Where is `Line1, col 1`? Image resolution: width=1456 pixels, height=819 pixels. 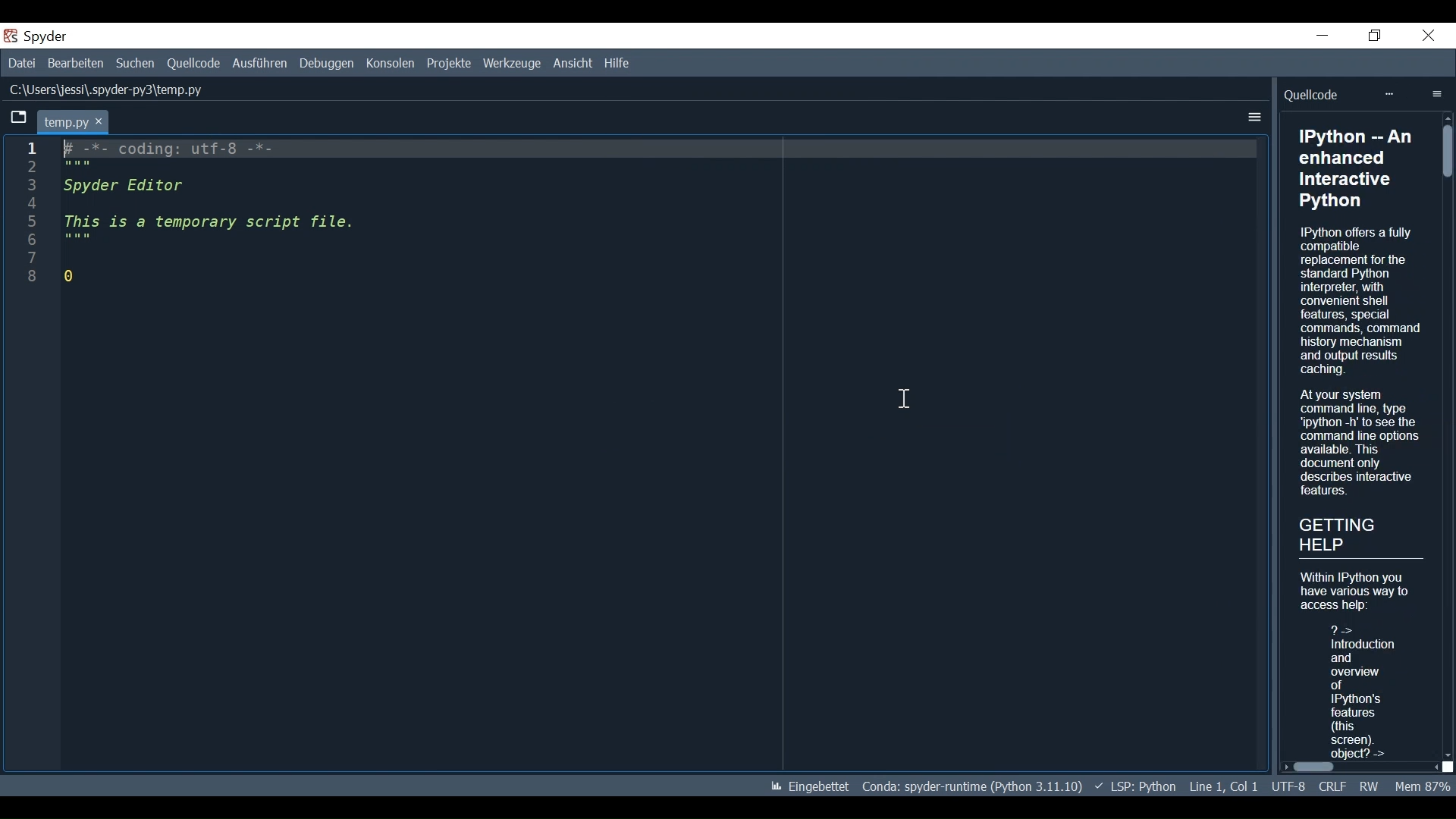
Line1, col 1 is located at coordinates (1225, 786).